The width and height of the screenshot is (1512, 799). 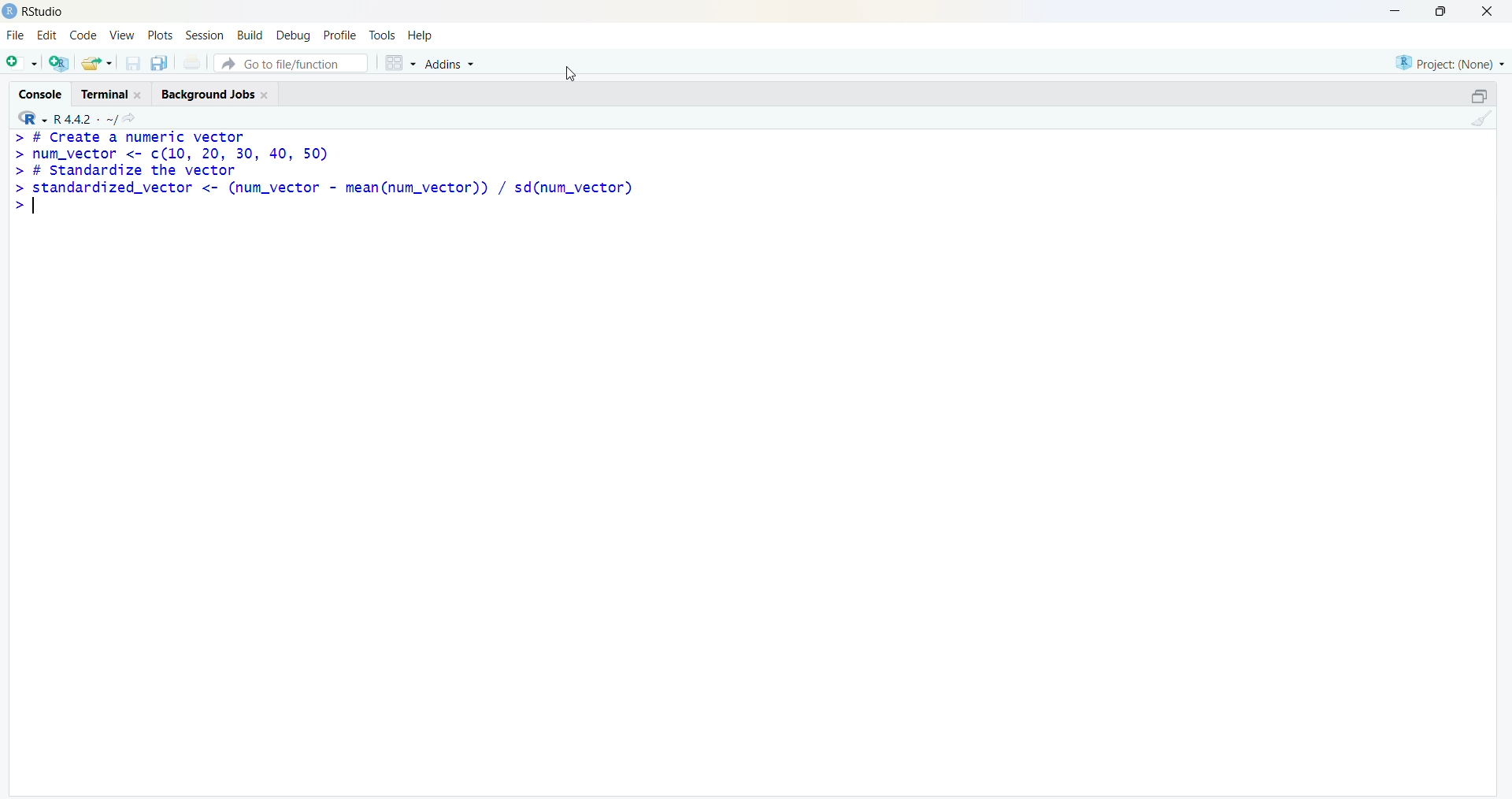 What do you see at coordinates (1397, 11) in the screenshot?
I see `minimise` at bounding box center [1397, 11].